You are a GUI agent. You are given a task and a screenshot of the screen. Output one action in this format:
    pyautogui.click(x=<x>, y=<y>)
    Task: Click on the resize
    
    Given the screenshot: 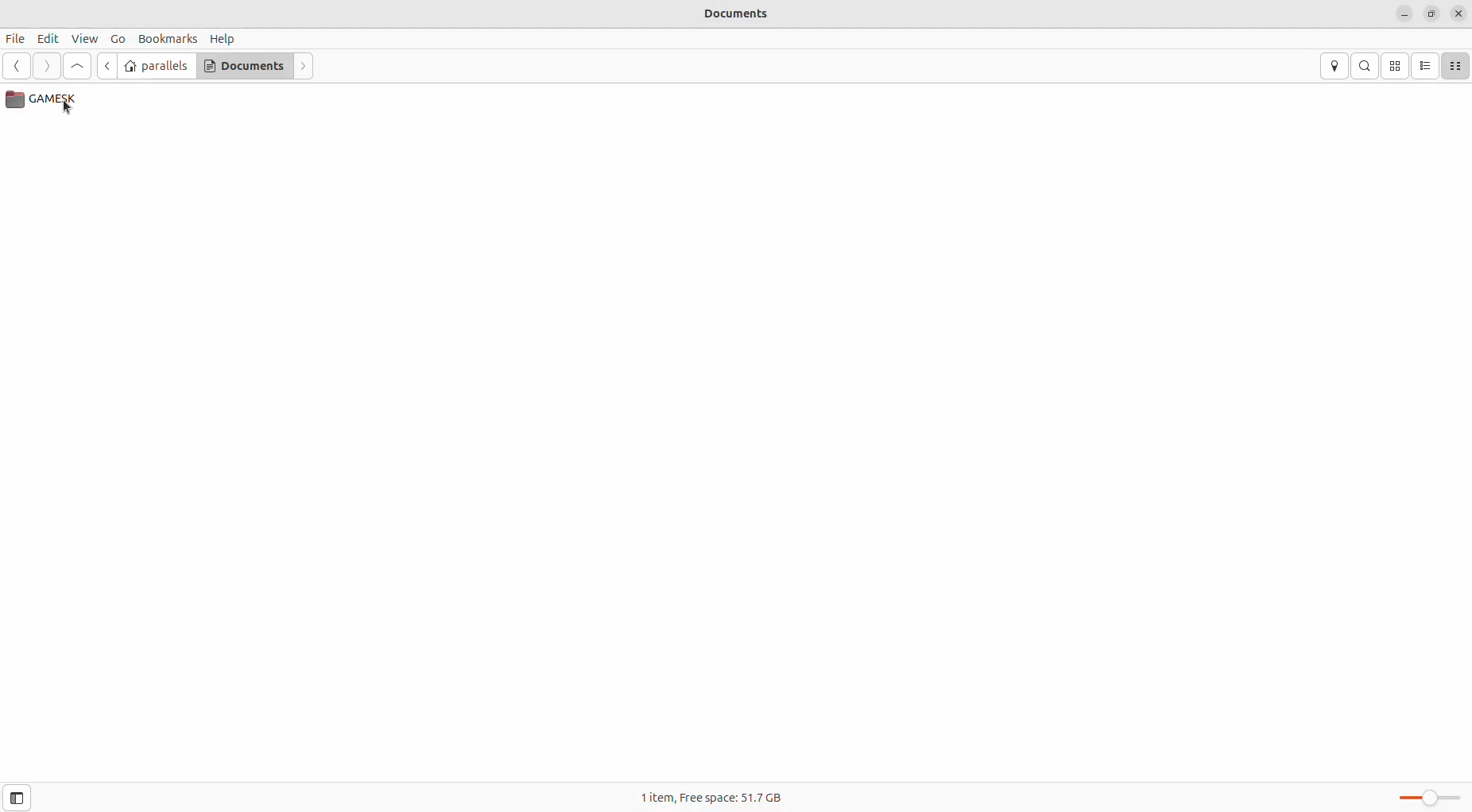 What is the action you would take?
    pyautogui.click(x=1433, y=14)
    